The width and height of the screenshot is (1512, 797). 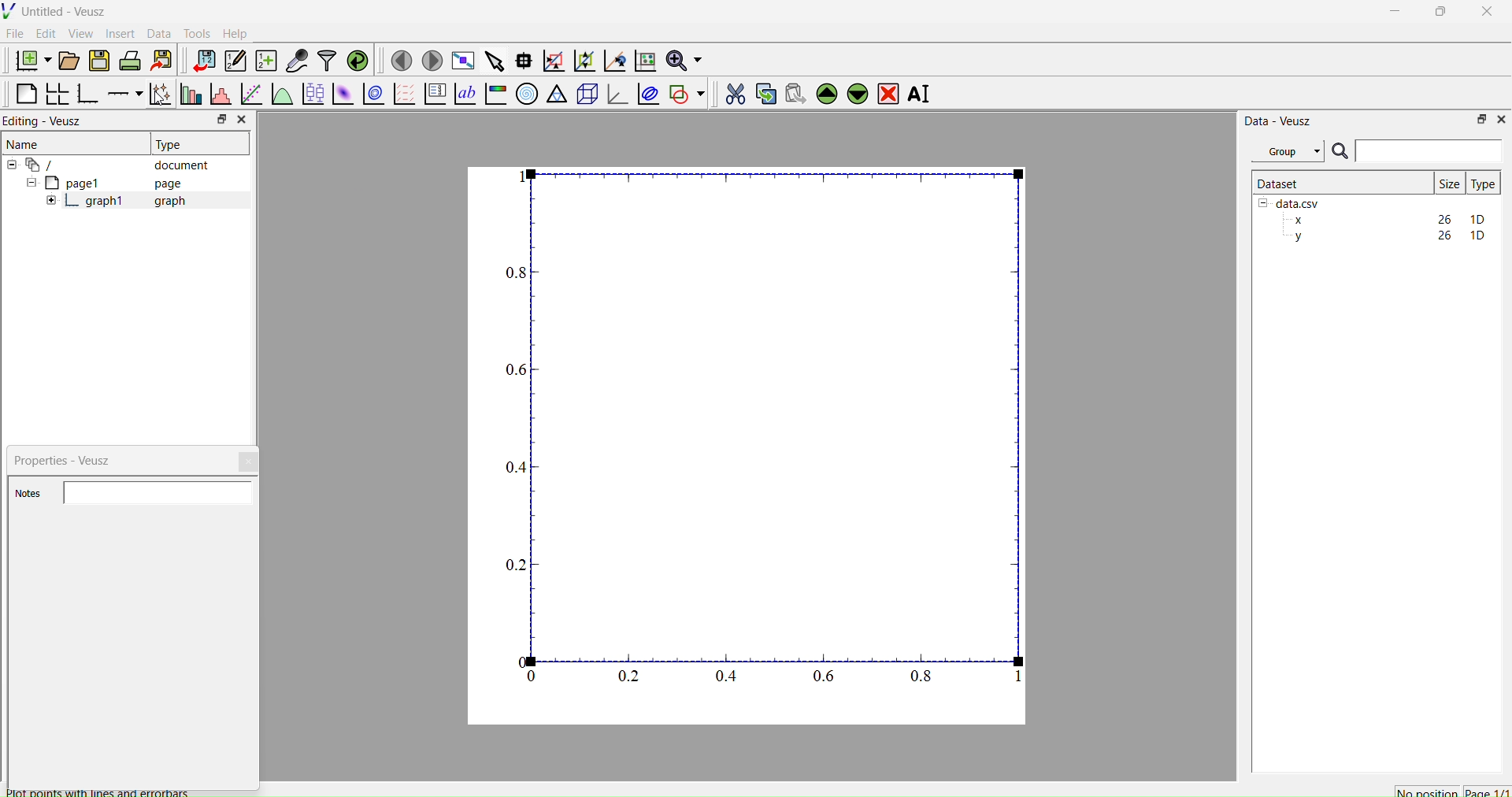 I want to click on Add Shape, so click(x=685, y=91).